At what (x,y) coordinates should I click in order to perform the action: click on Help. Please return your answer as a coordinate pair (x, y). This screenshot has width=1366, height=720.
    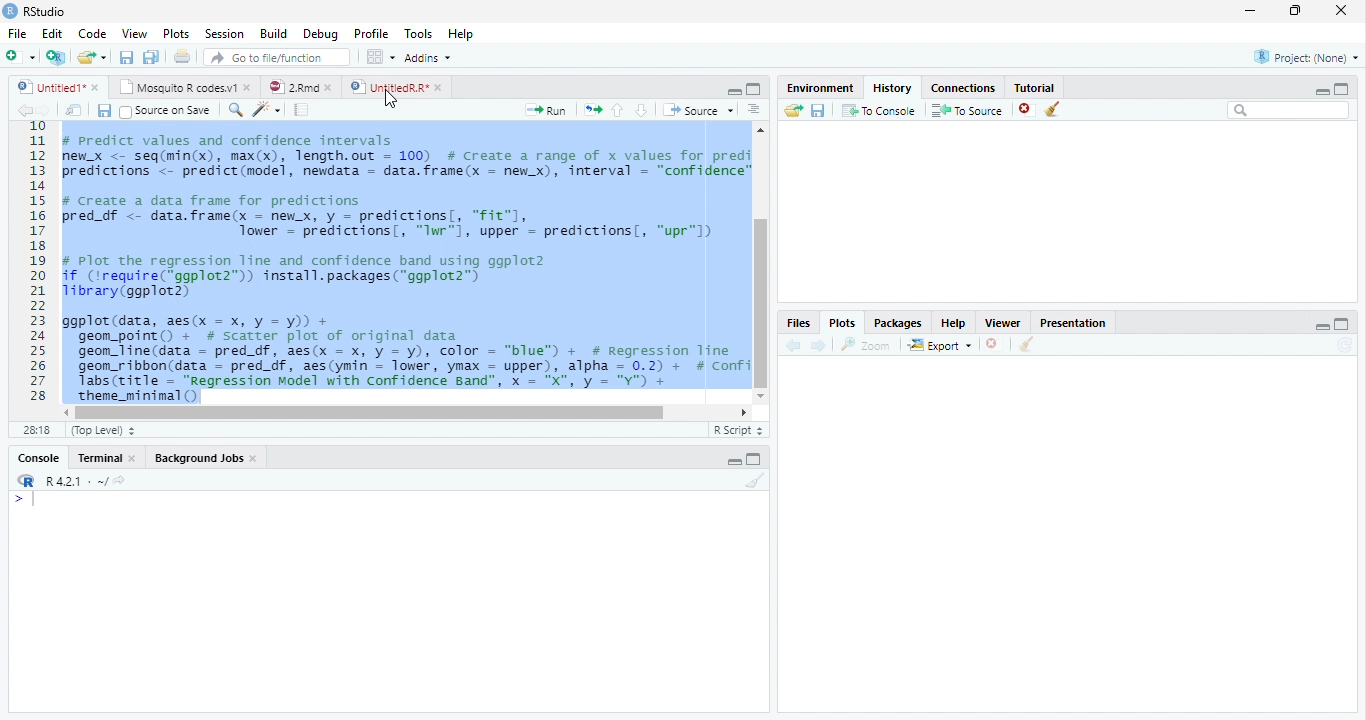
    Looking at the image, I should click on (462, 35).